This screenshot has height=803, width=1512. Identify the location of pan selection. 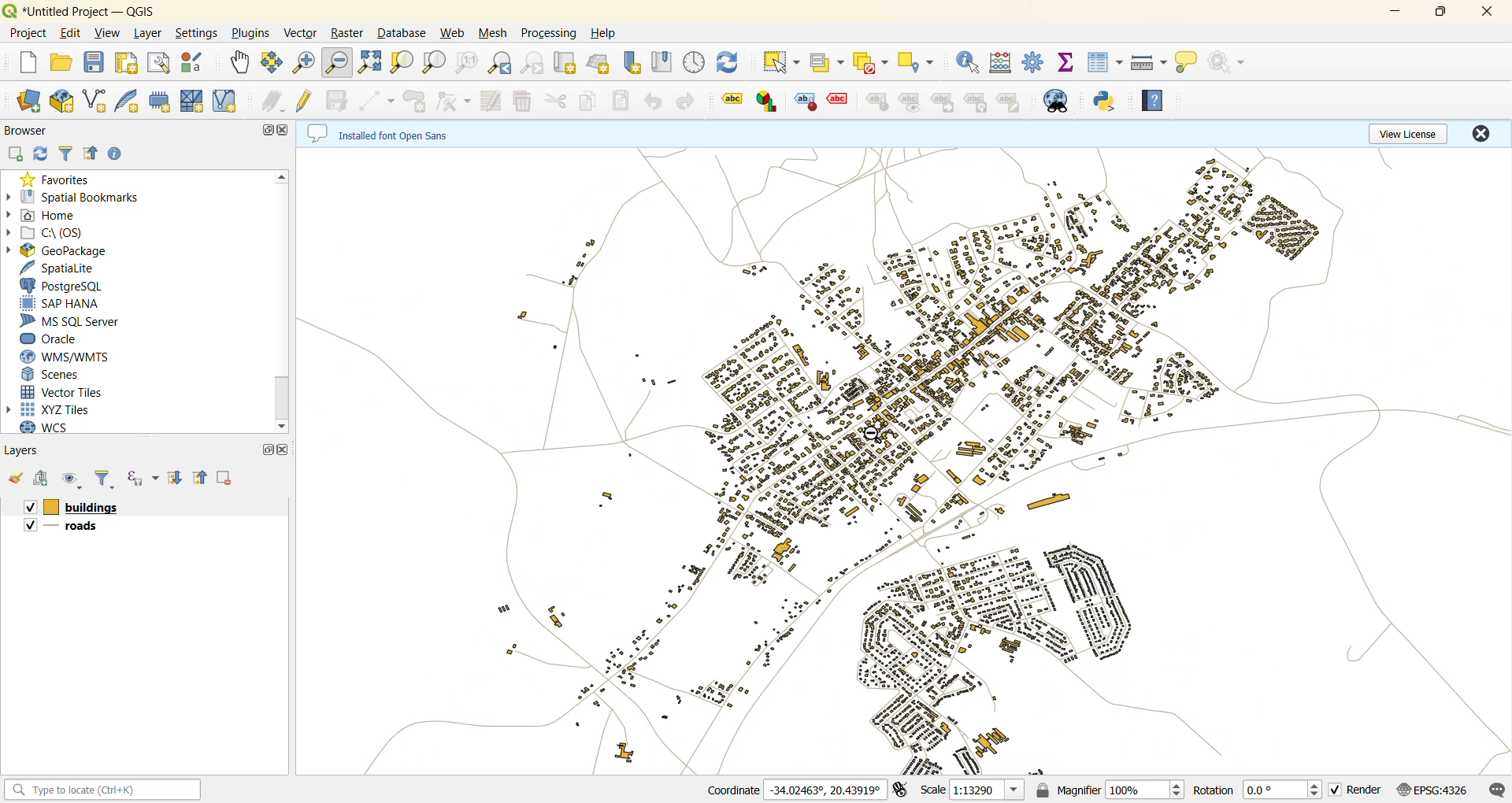
(269, 62).